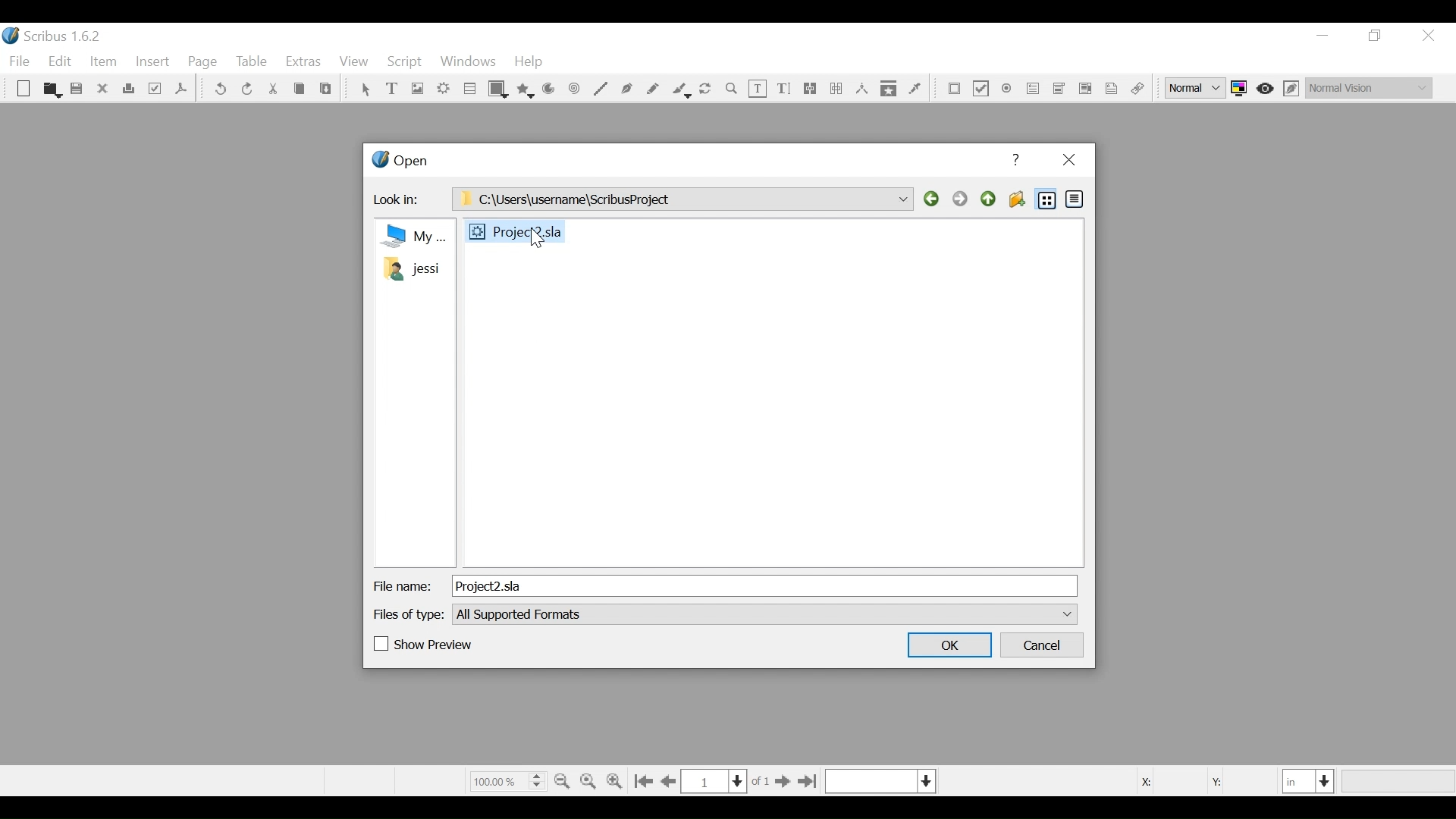  I want to click on minimize, so click(1323, 36).